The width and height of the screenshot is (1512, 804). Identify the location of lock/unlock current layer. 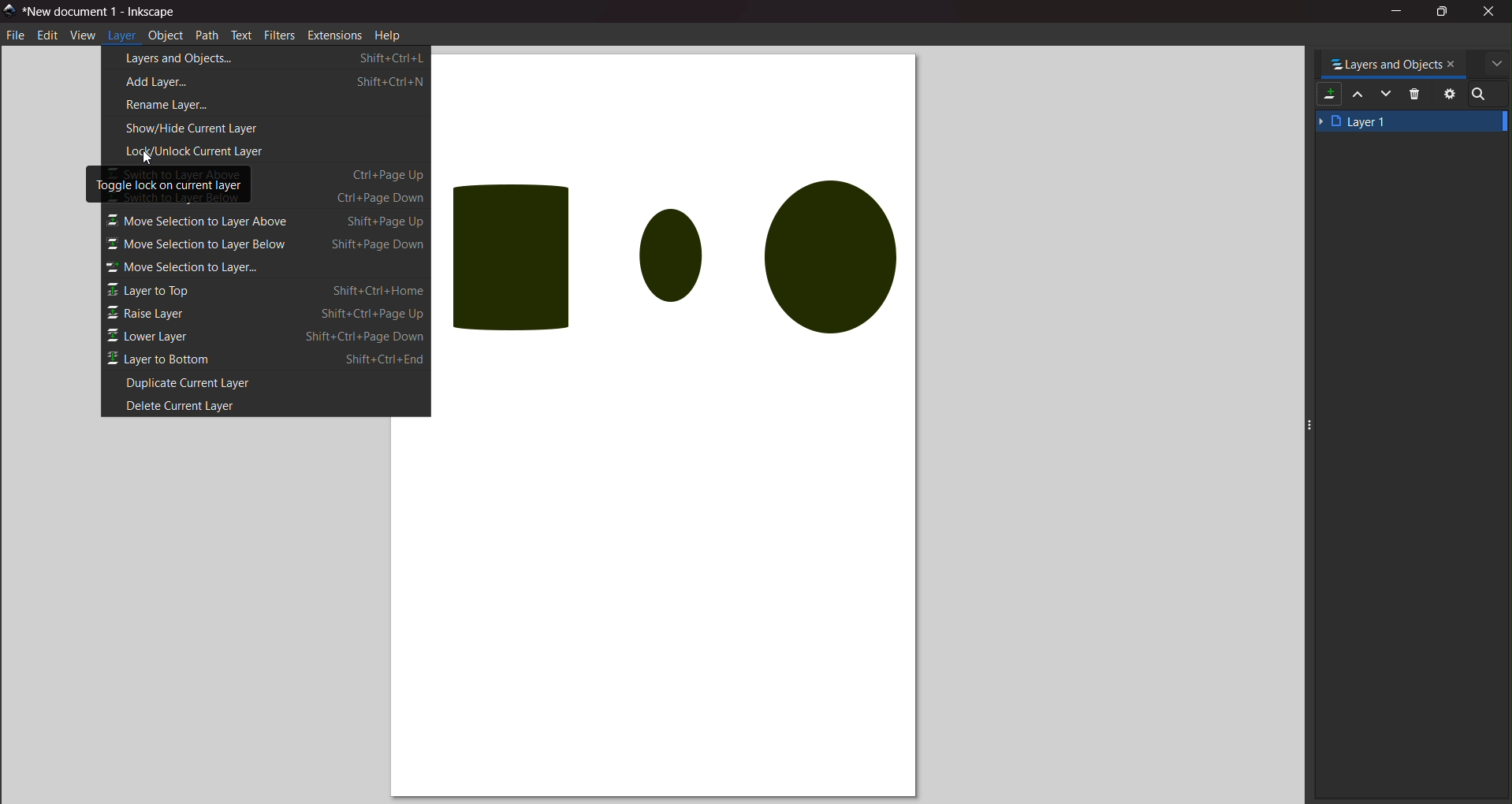
(199, 150).